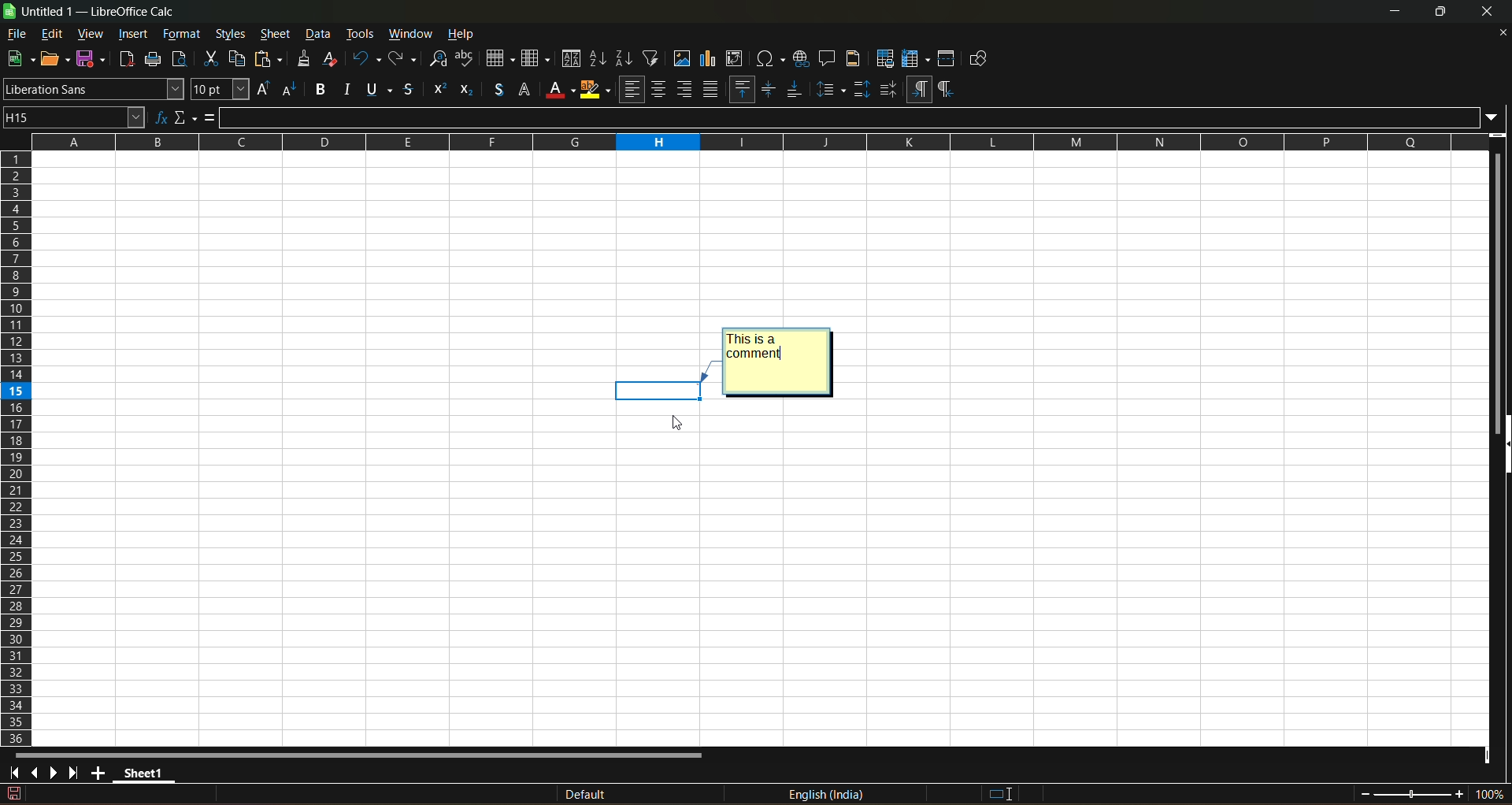 The image size is (1512, 805). Describe the element at coordinates (234, 35) in the screenshot. I see `styles` at that location.